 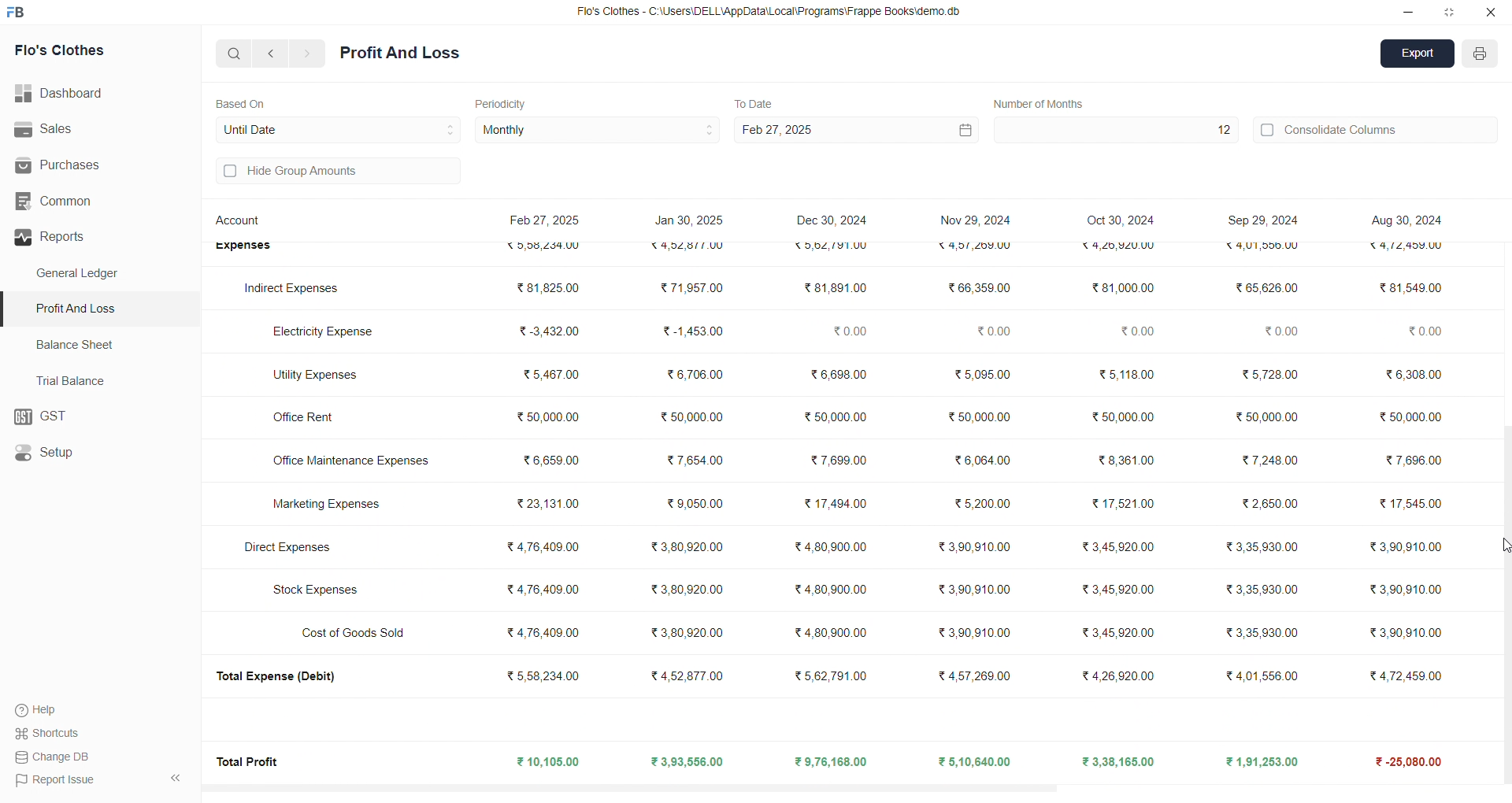 What do you see at coordinates (843, 785) in the screenshot?
I see `horizontal scroll bar` at bounding box center [843, 785].